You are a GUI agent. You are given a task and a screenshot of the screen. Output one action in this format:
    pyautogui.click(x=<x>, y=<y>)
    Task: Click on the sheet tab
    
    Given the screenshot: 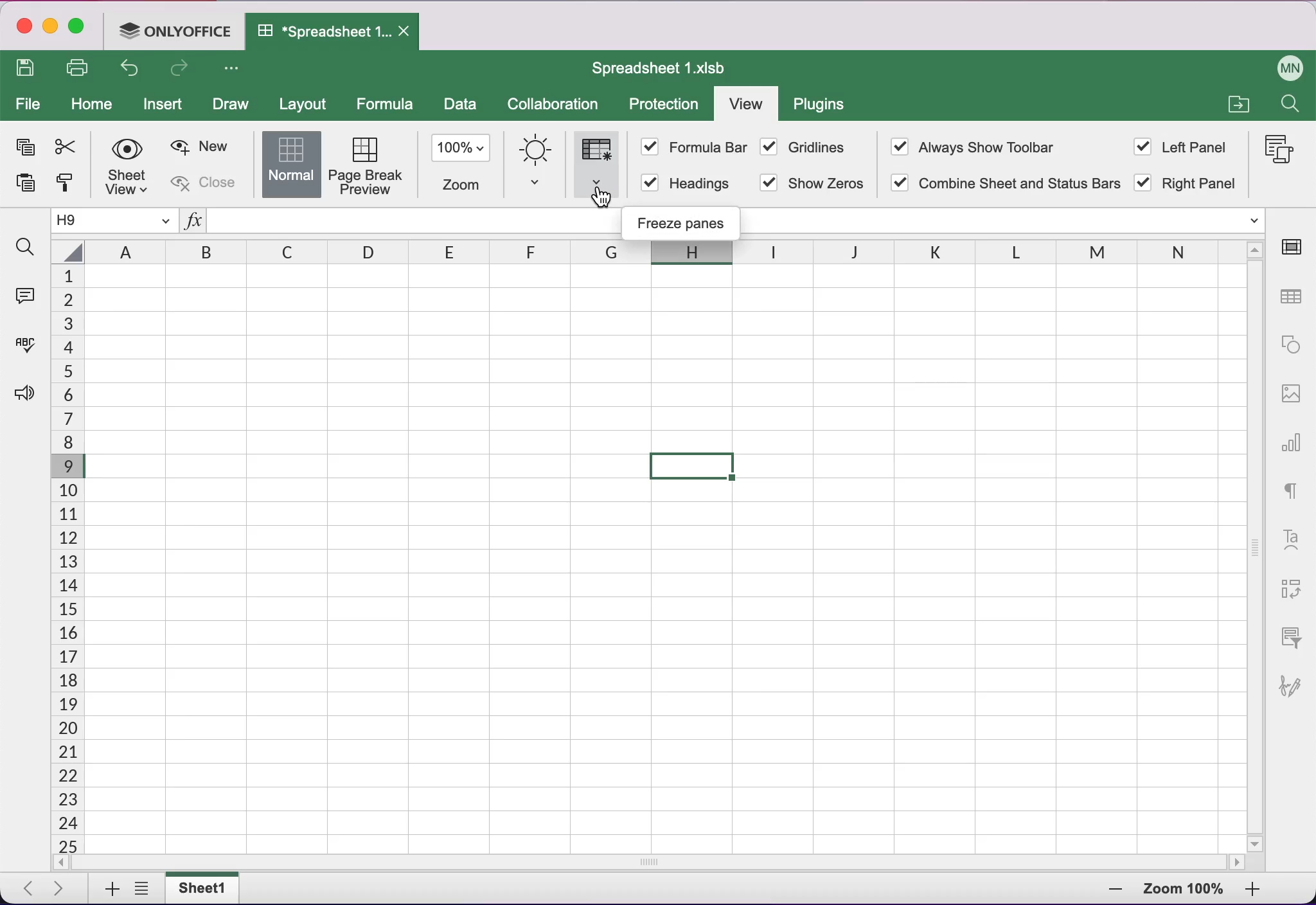 What is the action you would take?
    pyautogui.click(x=208, y=888)
    